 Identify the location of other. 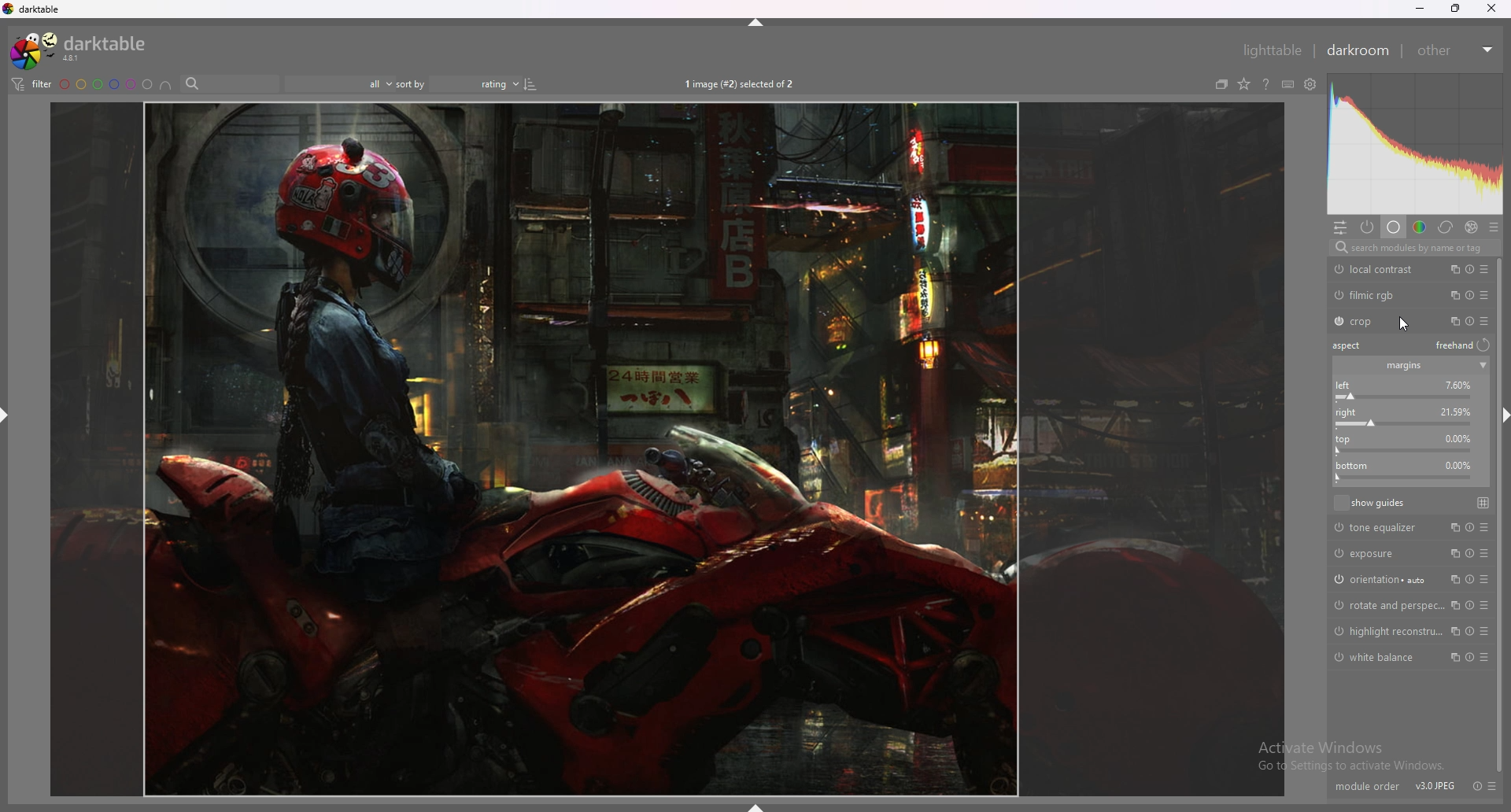
(1456, 50).